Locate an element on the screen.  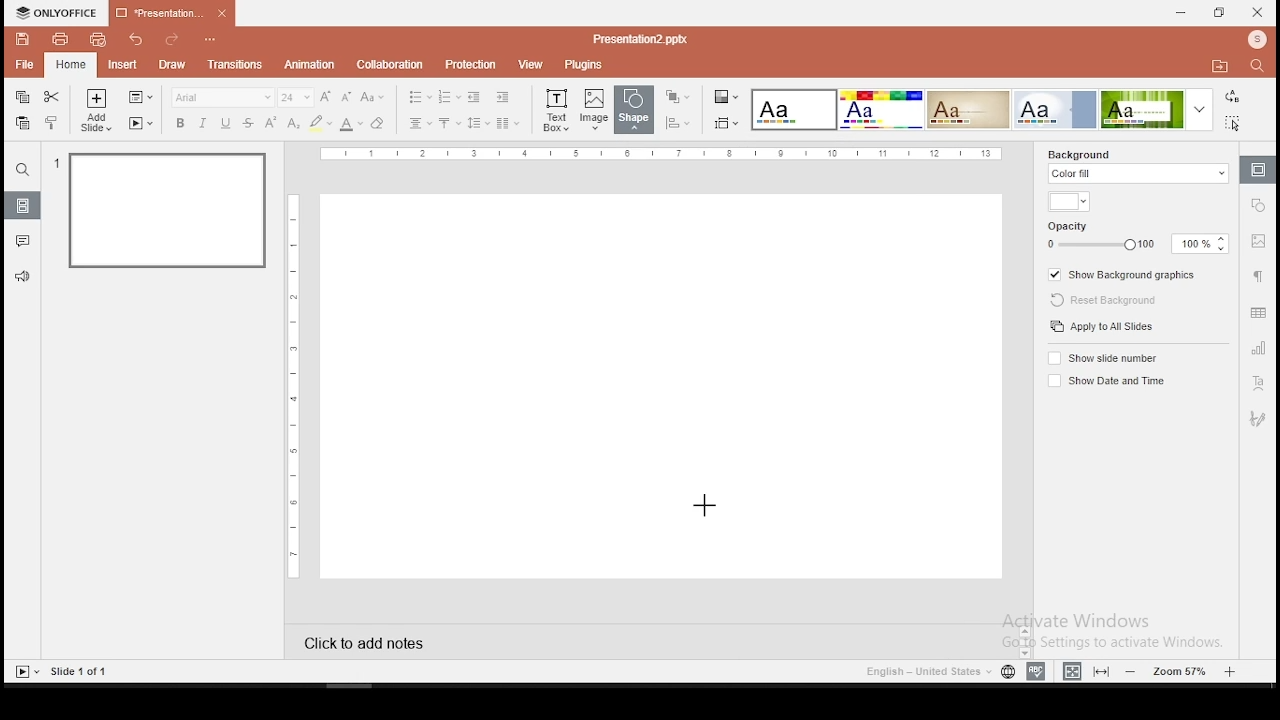
quick print is located at coordinates (97, 39).